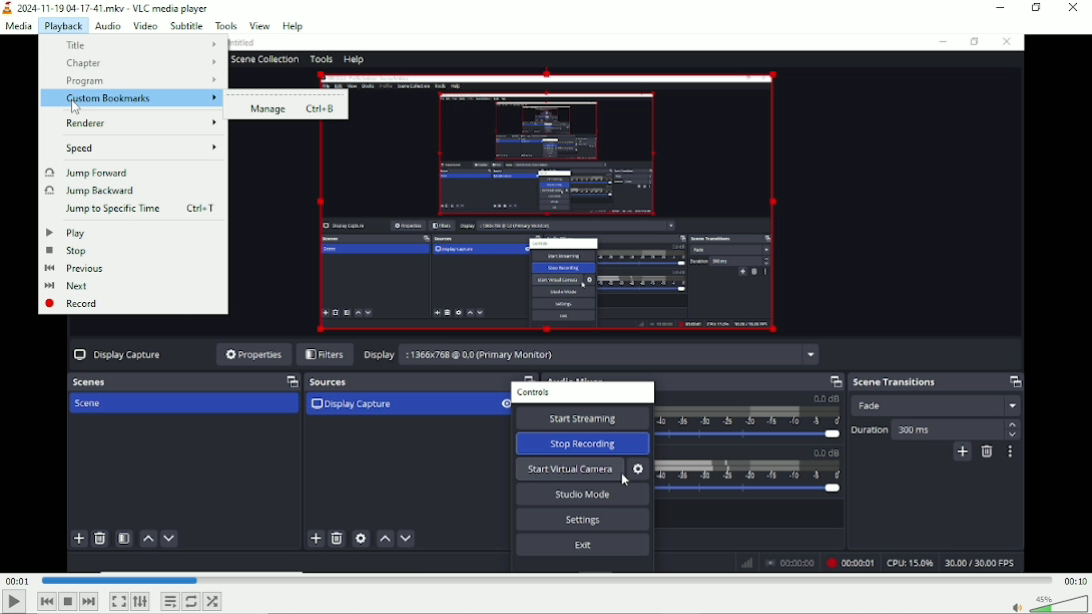 Image resolution: width=1092 pixels, height=614 pixels. Describe the element at coordinates (17, 26) in the screenshot. I see `Media` at that location.